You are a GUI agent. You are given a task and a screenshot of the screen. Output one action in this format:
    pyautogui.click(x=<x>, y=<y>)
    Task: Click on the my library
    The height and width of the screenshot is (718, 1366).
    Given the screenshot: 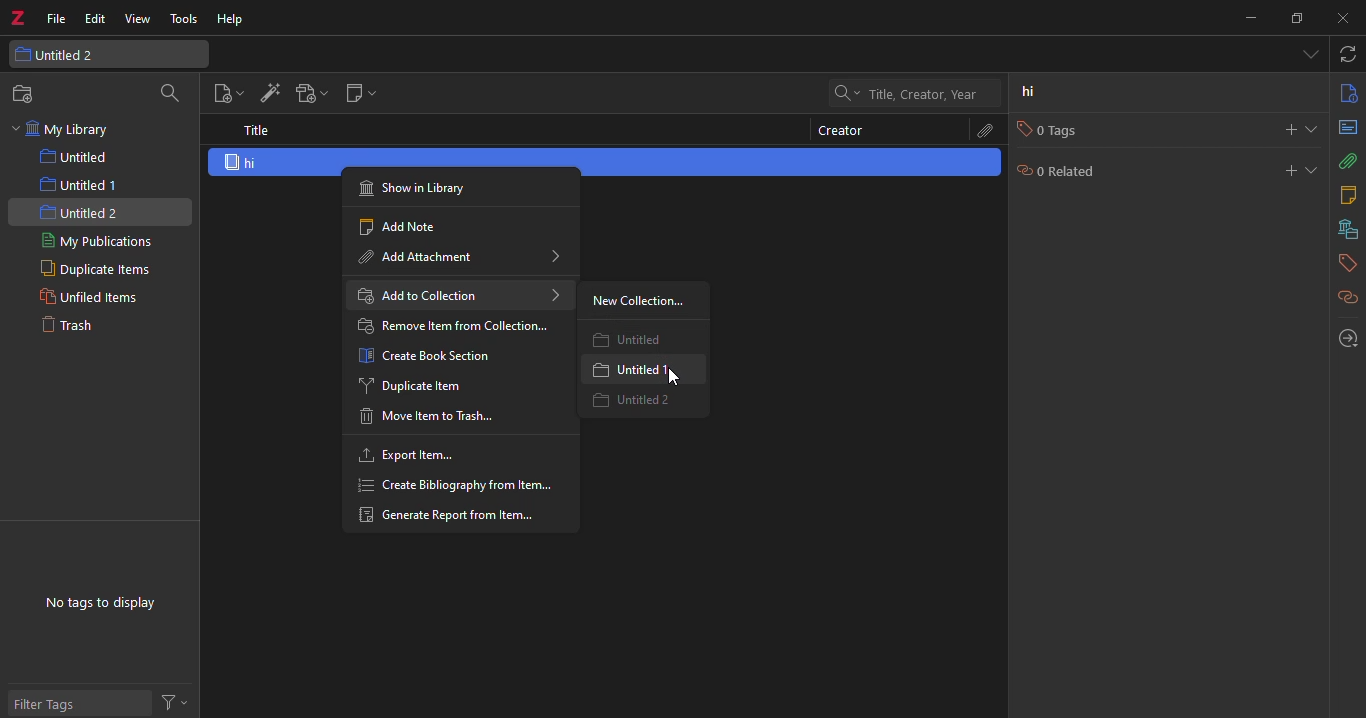 What is the action you would take?
    pyautogui.click(x=74, y=130)
    